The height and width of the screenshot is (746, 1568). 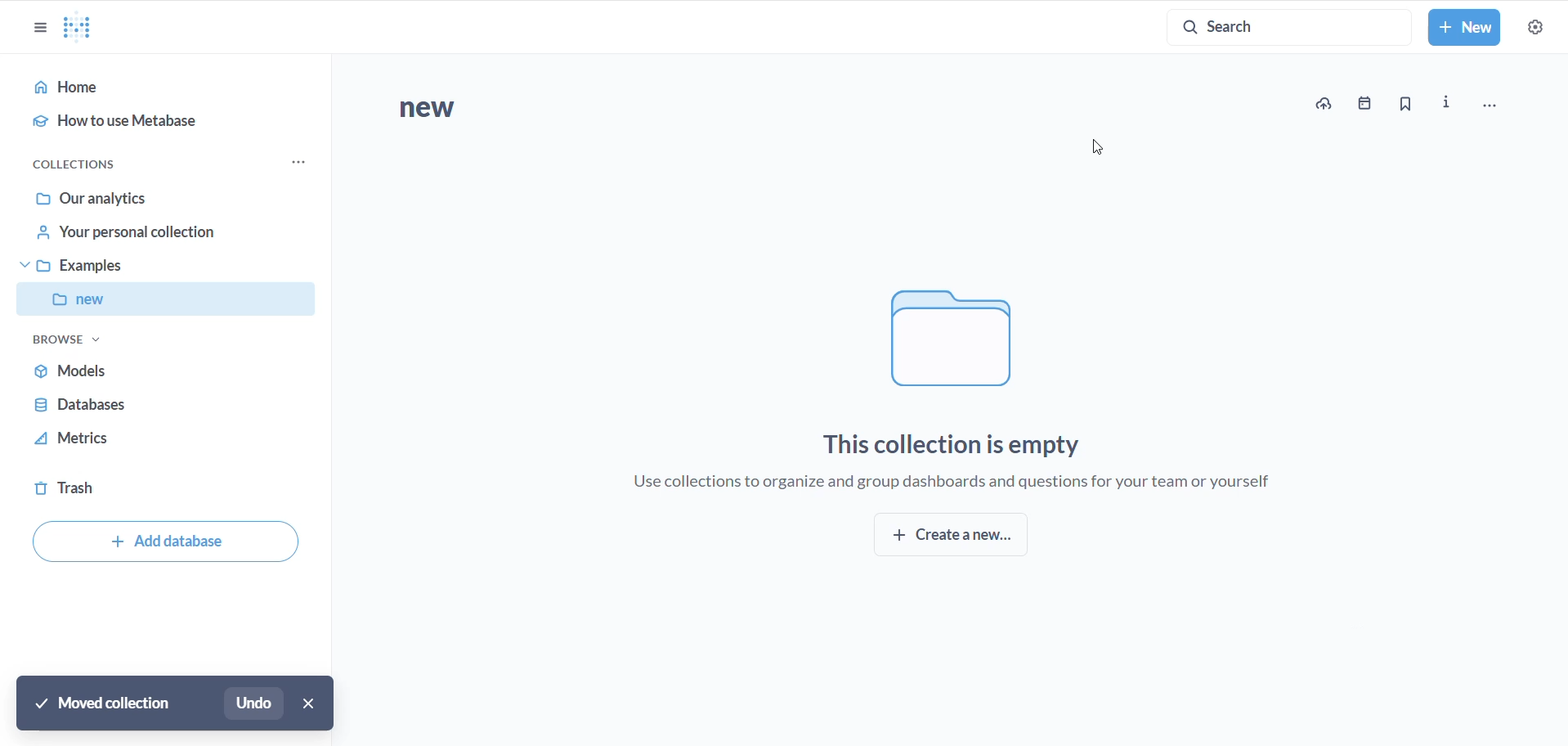 I want to click on our analytics , so click(x=154, y=197).